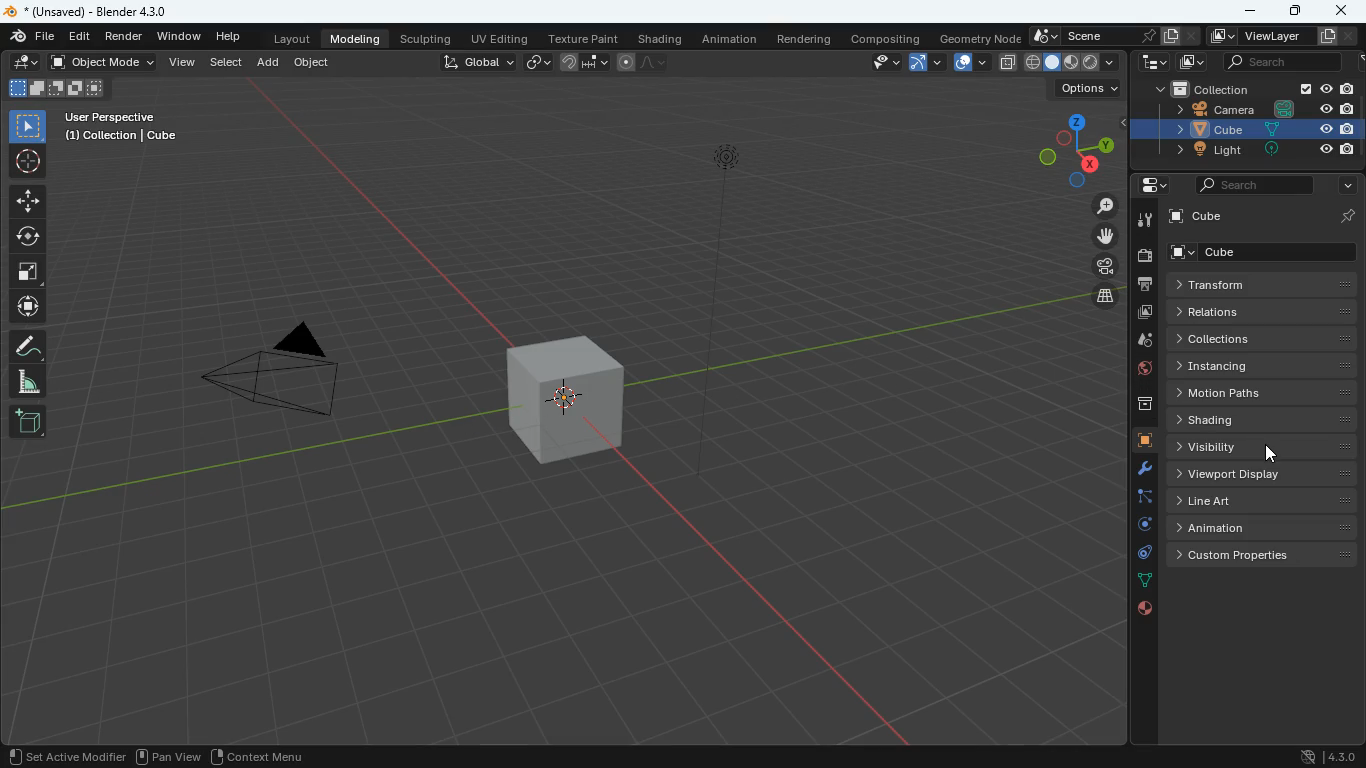  What do you see at coordinates (28, 201) in the screenshot?
I see `aim` at bounding box center [28, 201].